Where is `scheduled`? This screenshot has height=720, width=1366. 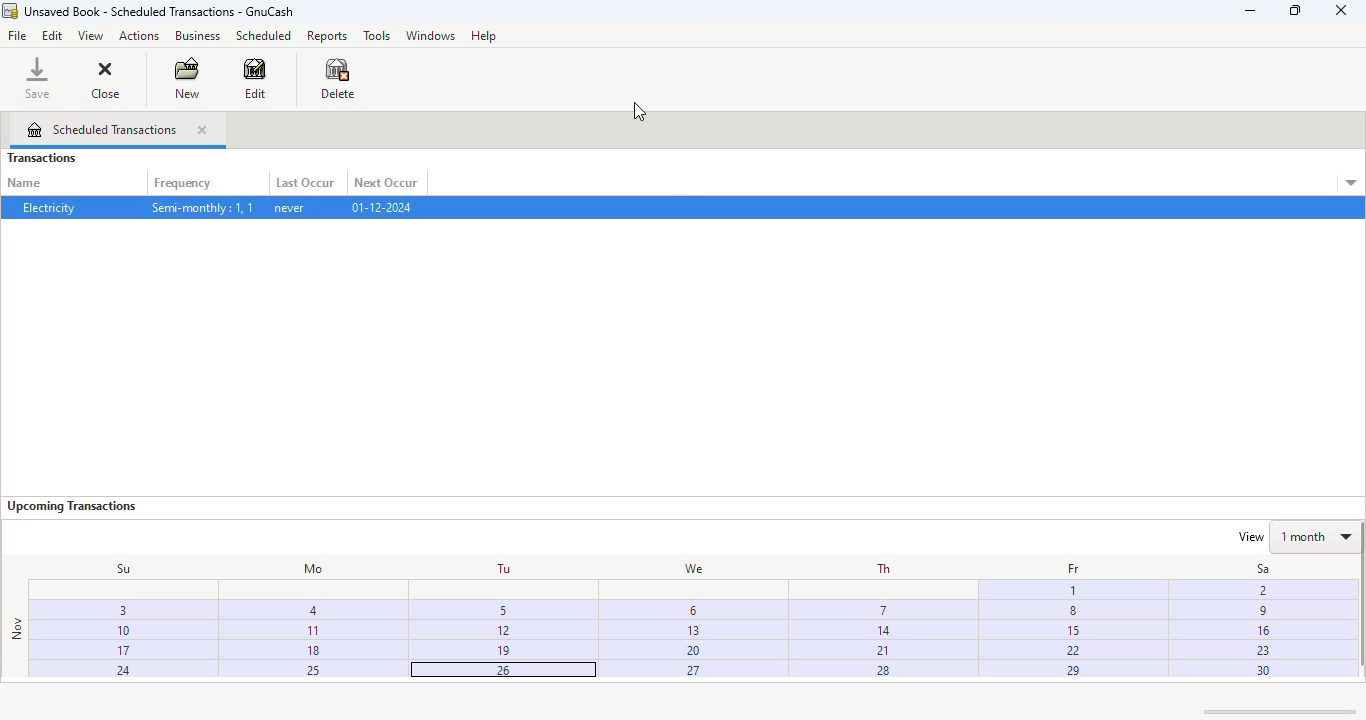
scheduled is located at coordinates (263, 35).